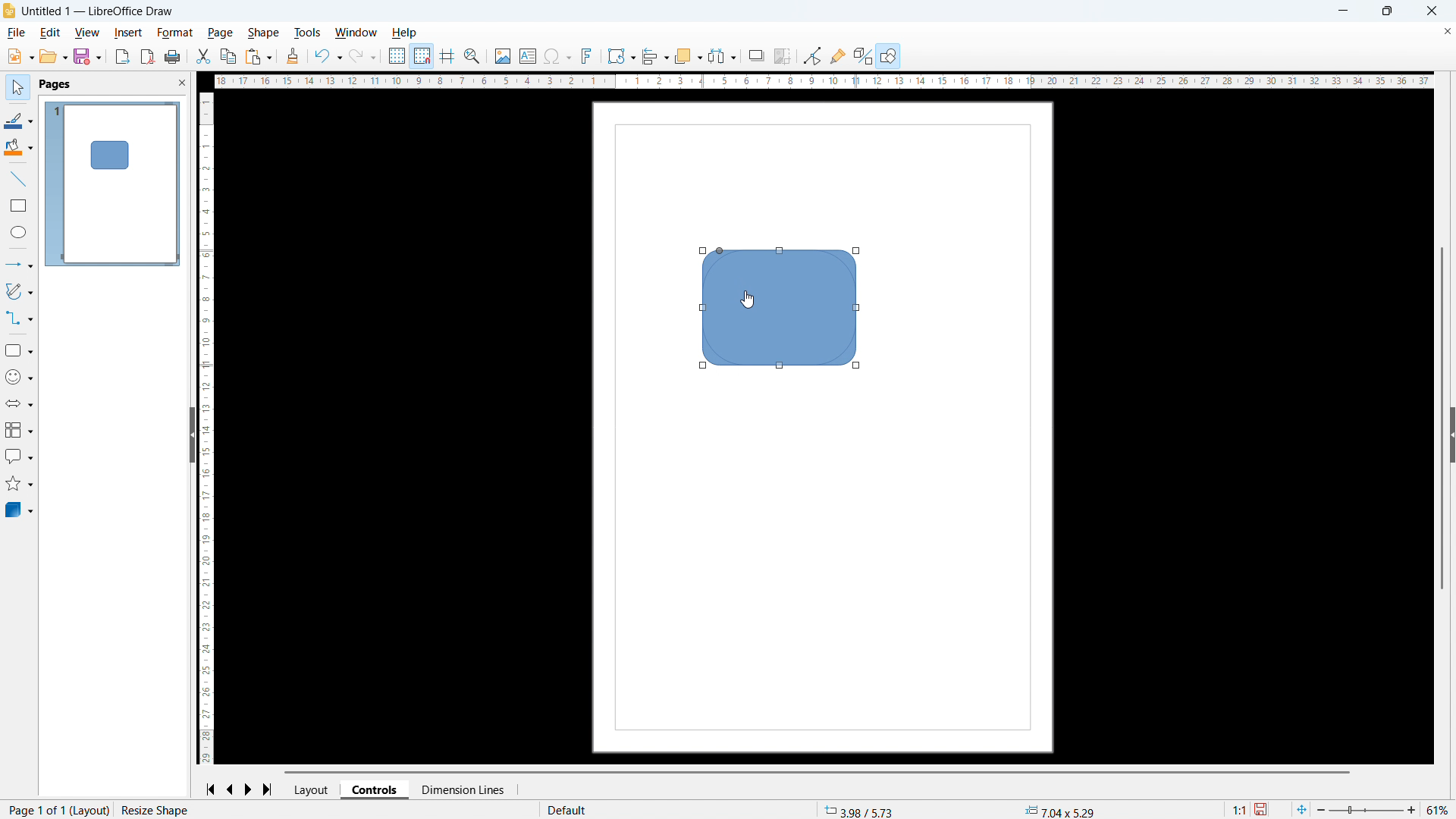 The image size is (1456, 819). Describe the element at coordinates (1303, 808) in the screenshot. I see `Fit to page ` at that location.